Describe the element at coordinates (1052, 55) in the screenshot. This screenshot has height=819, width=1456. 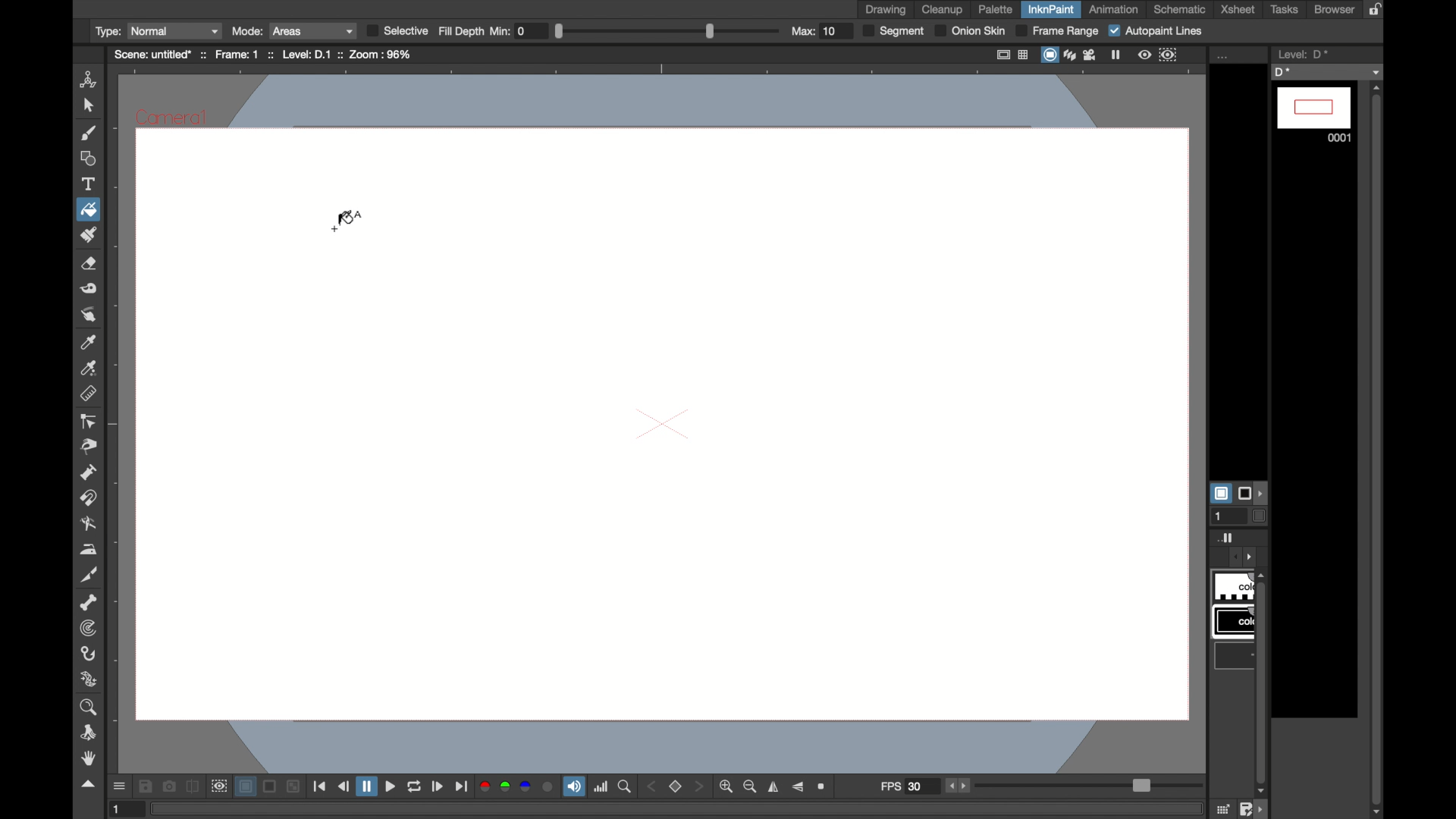
I see `screen` at that location.